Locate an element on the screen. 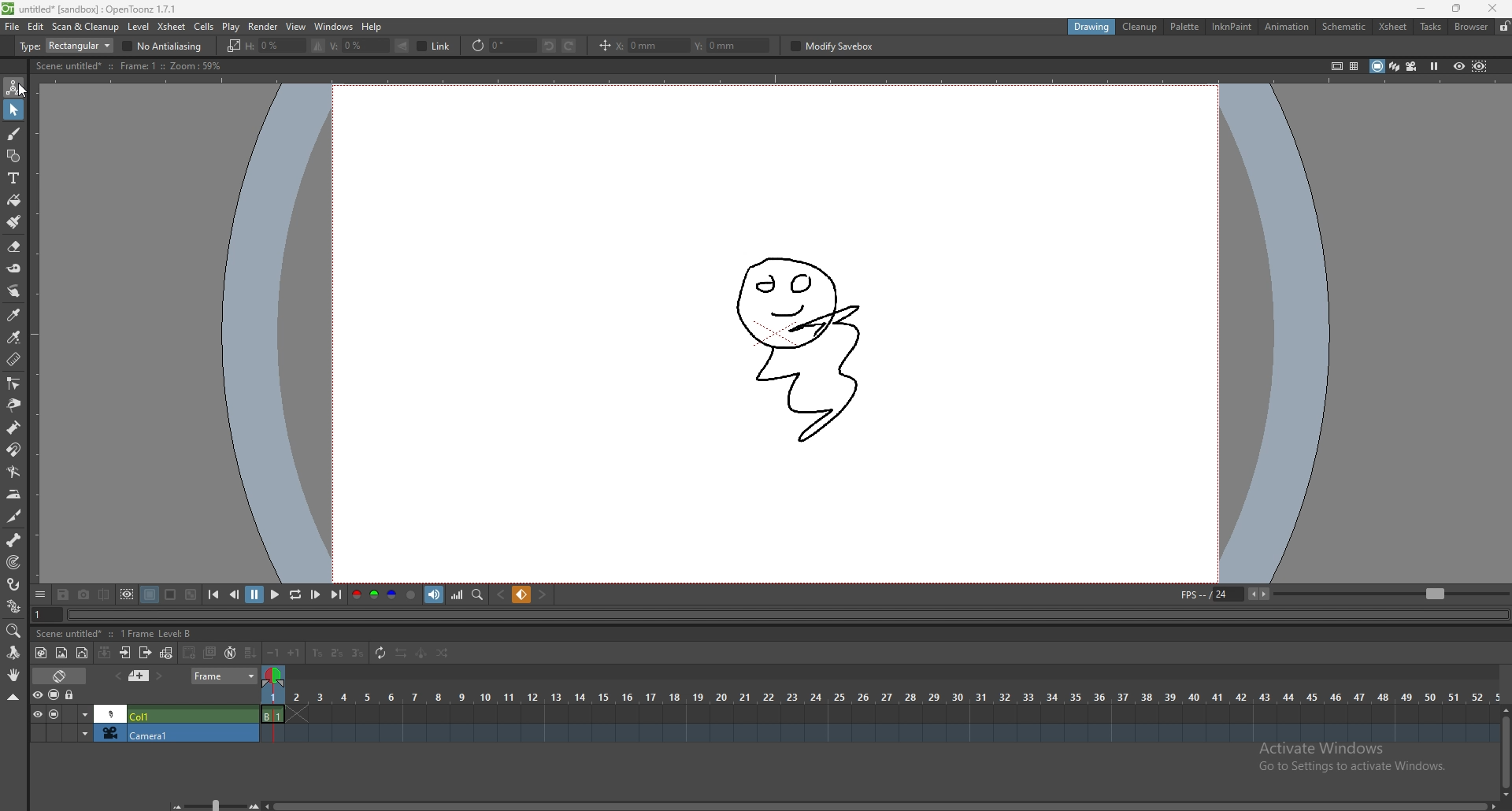  column 1 is located at coordinates (144, 713).